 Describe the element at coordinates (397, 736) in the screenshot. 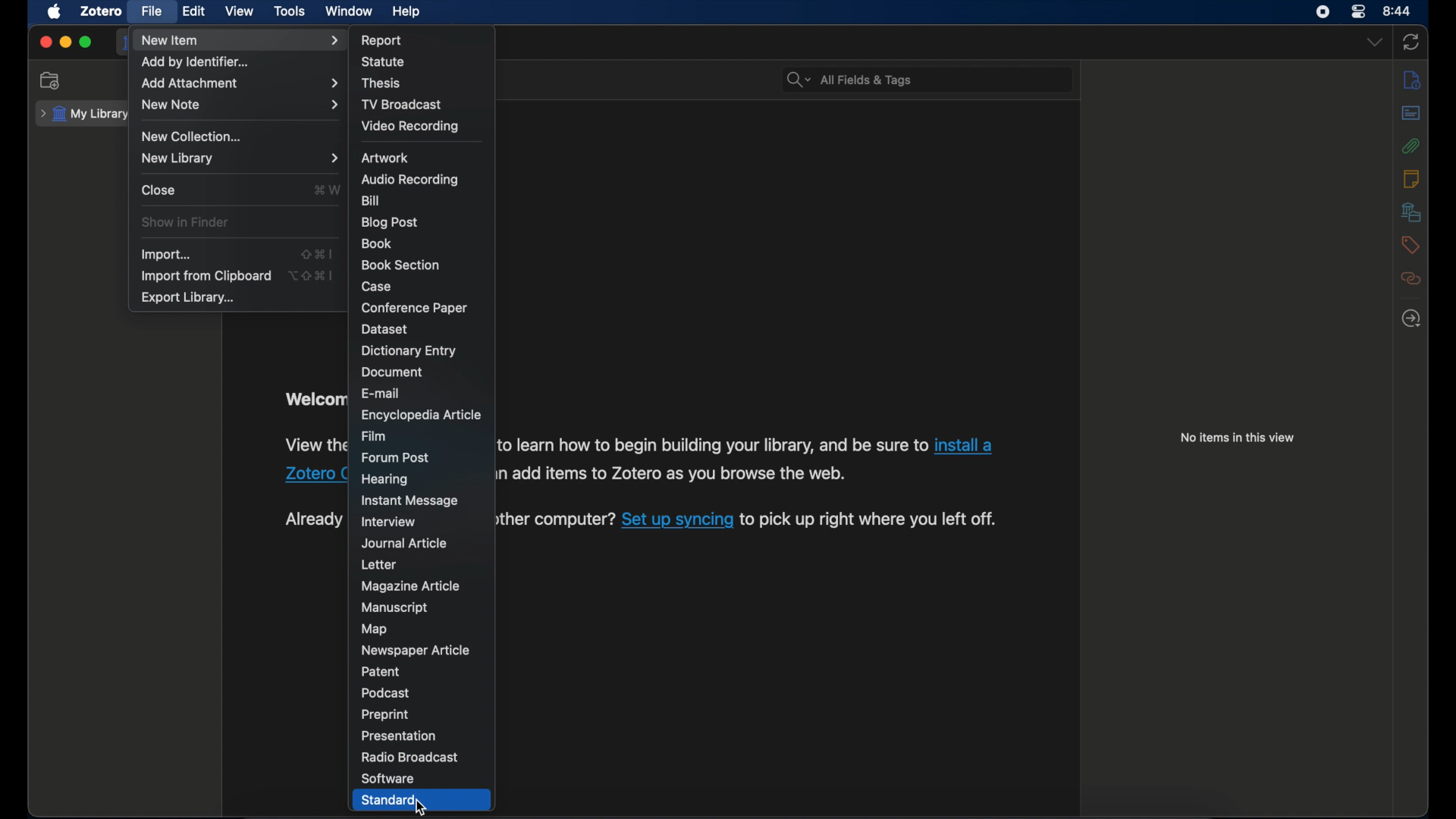

I see `presentation` at that location.